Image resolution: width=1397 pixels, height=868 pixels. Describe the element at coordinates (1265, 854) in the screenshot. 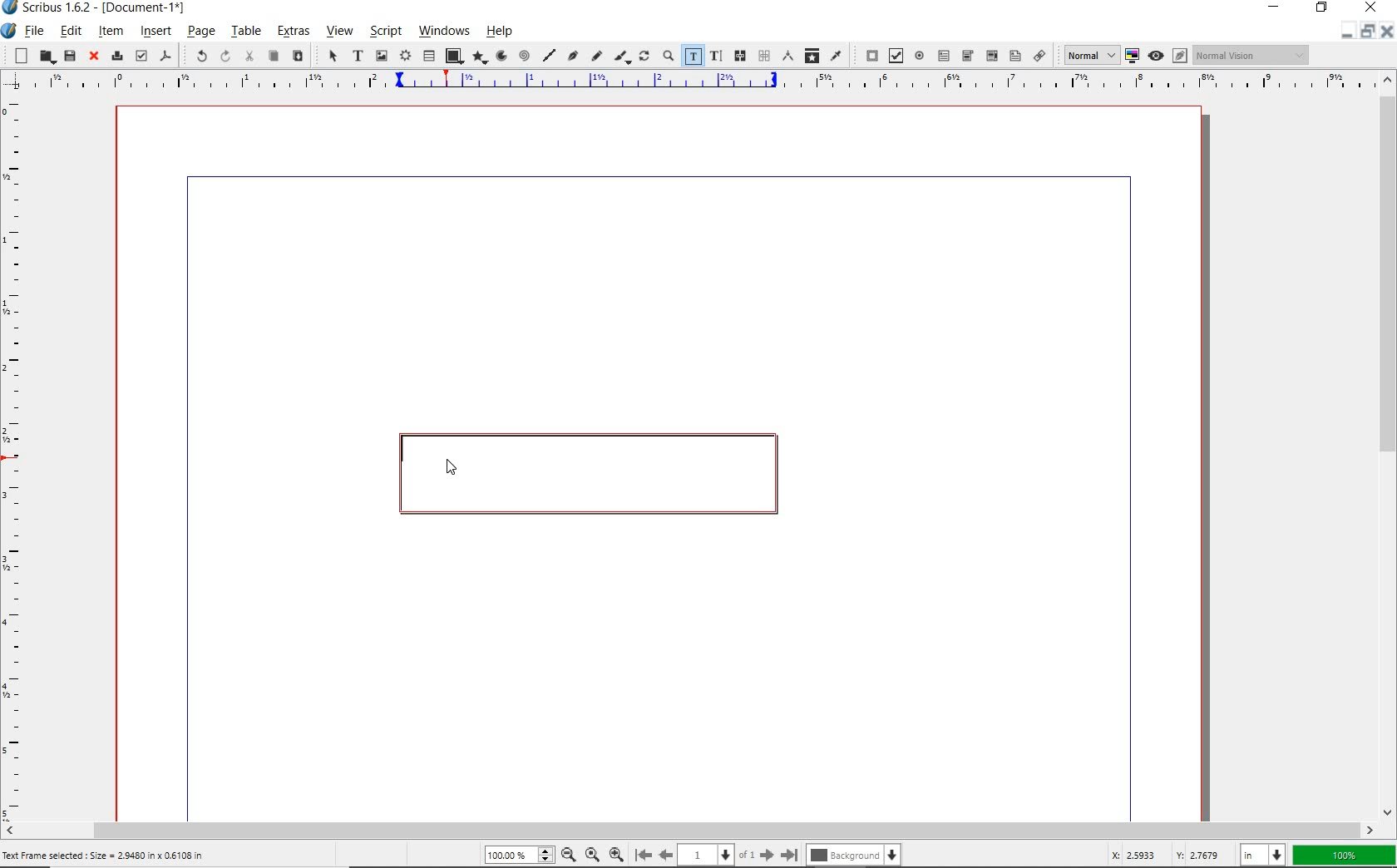

I see `in` at that location.